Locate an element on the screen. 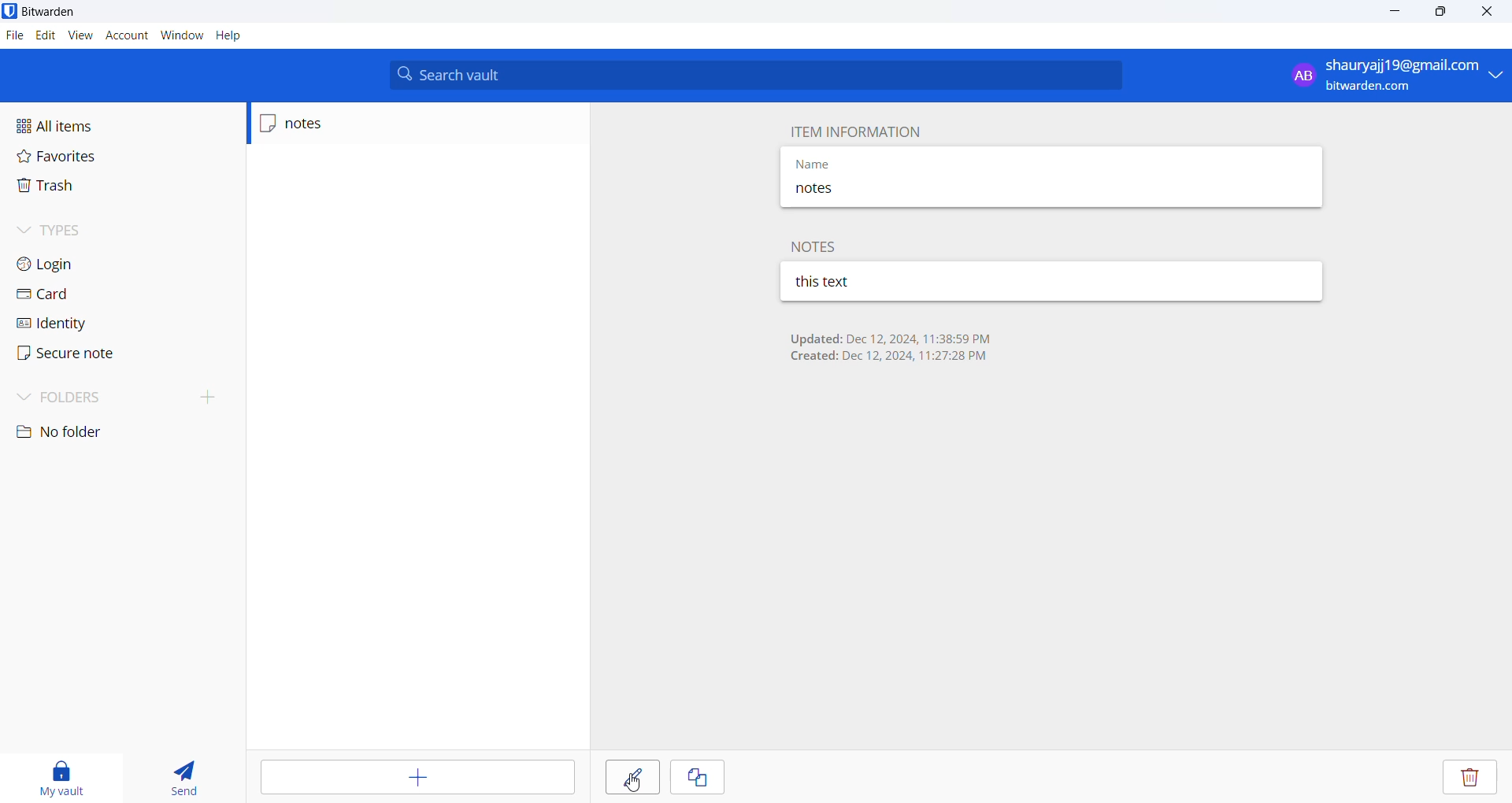  login is located at coordinates (80, 263).